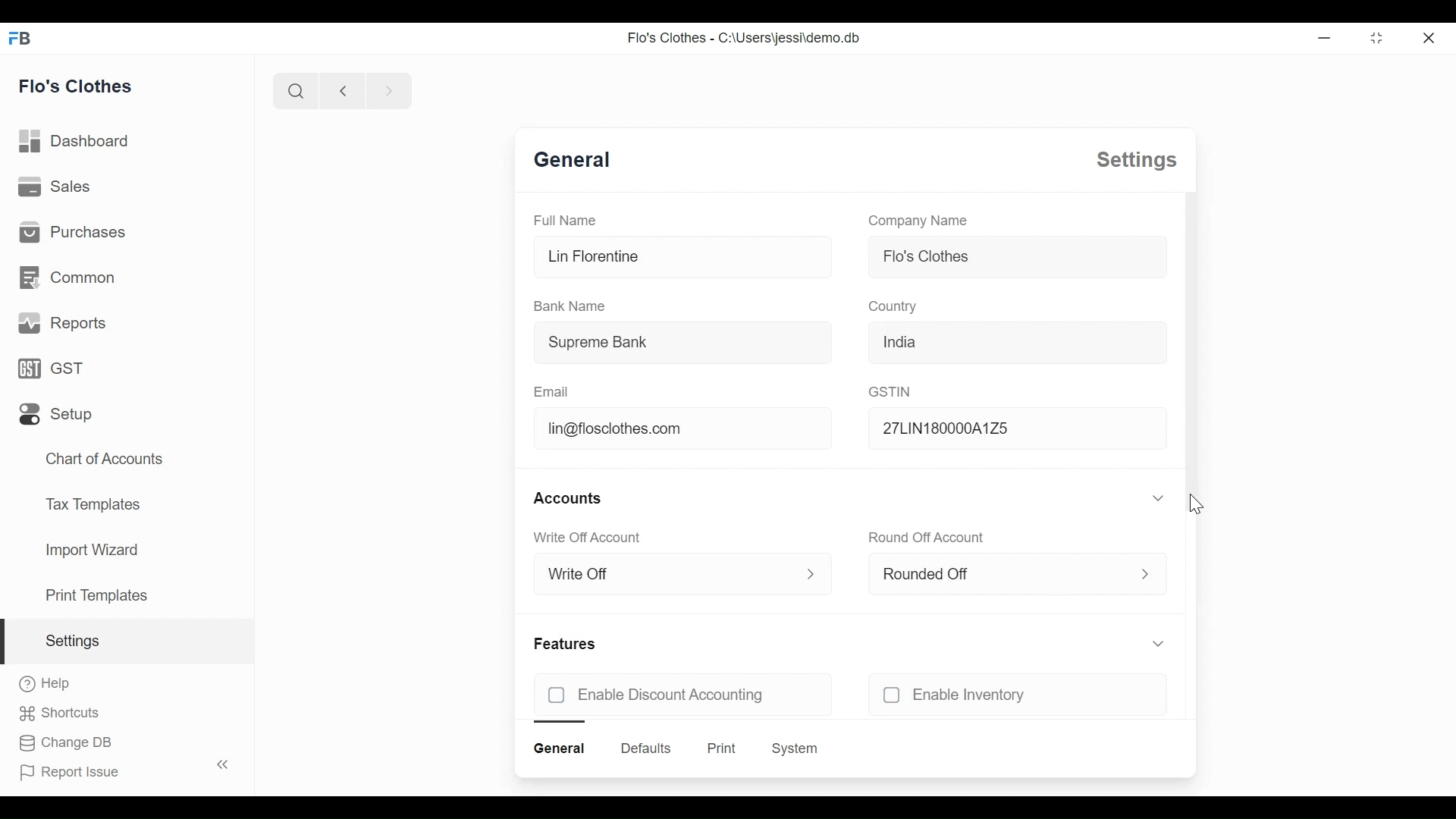  I want to click on Purchases, so click(71, 233).